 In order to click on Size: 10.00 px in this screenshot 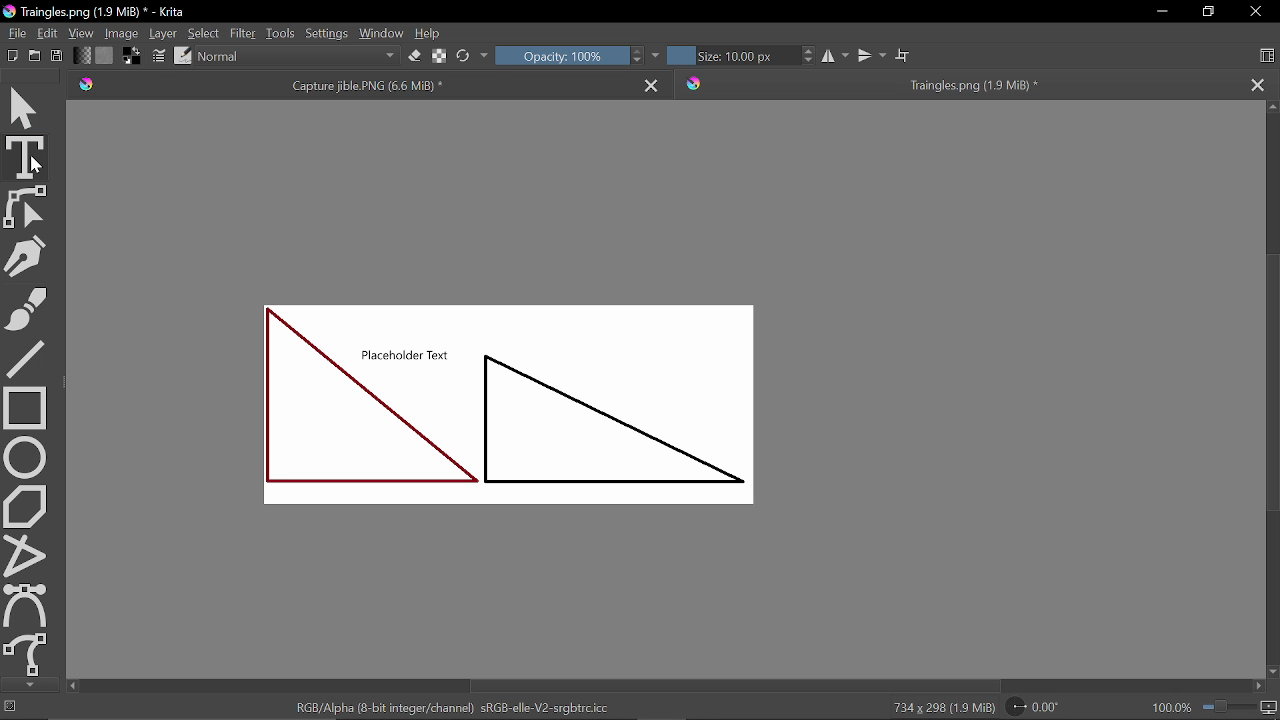, I will do `click(729, 56)`.